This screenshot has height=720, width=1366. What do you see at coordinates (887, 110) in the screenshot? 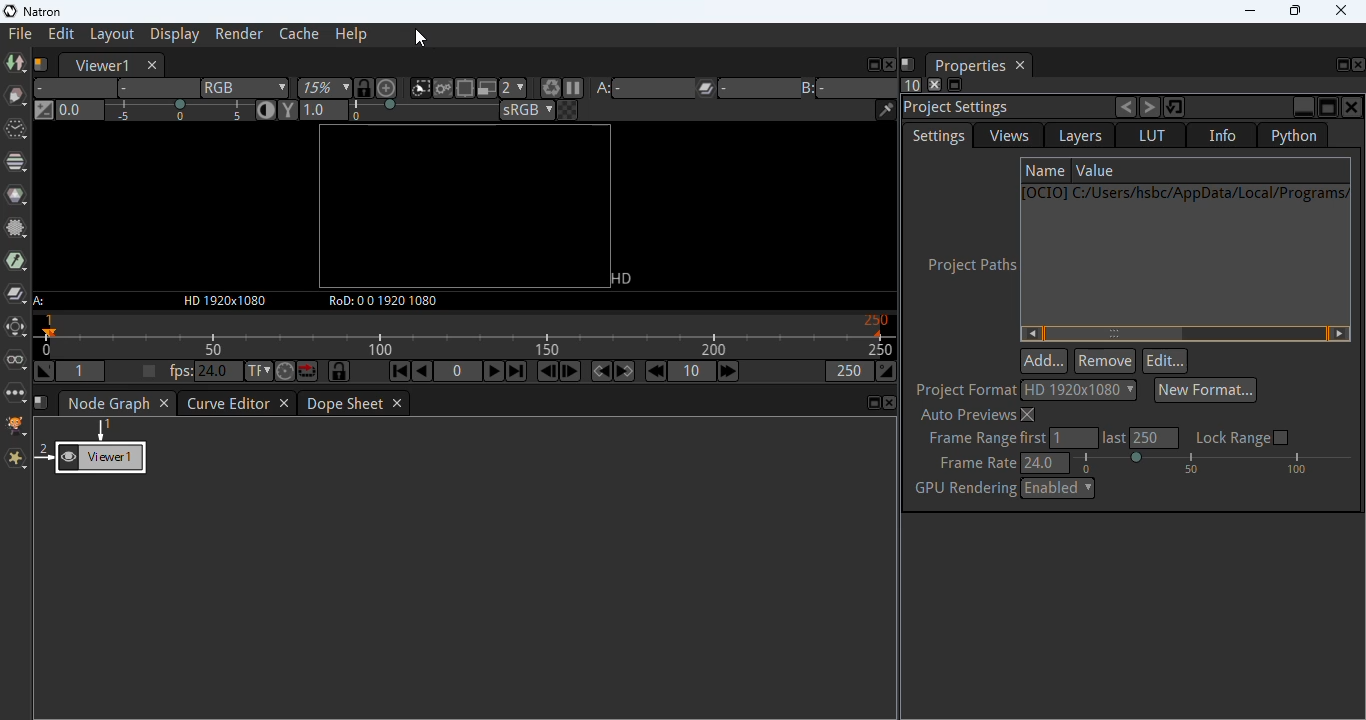
I see `show/hide information bar in the bottom of the viewer and if unchecked deactivate any active color picker.` at bounding box center [887, 110].